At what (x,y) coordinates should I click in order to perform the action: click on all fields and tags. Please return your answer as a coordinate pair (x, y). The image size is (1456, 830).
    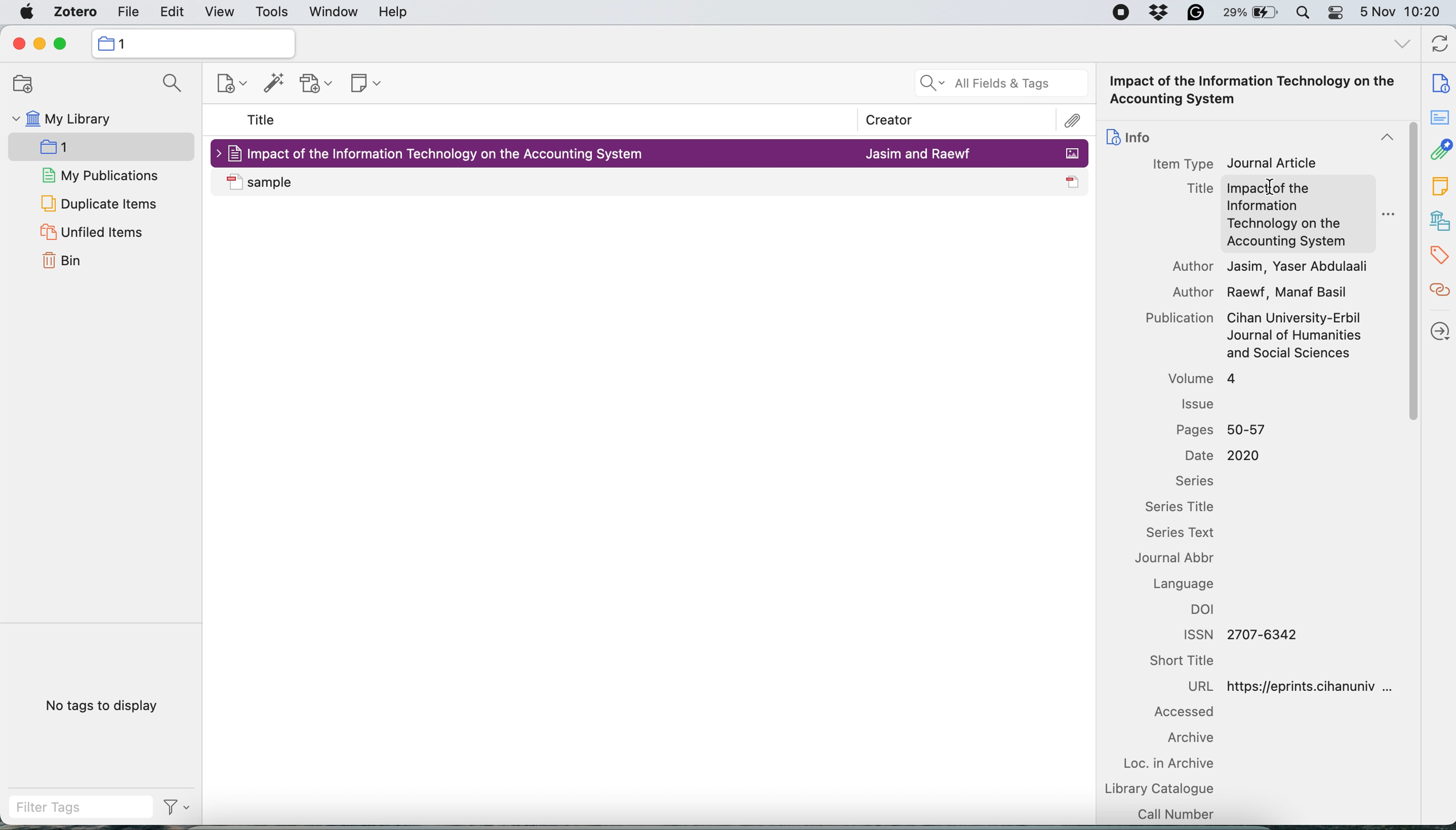
    Looking at the image, I should click on (998, 83).